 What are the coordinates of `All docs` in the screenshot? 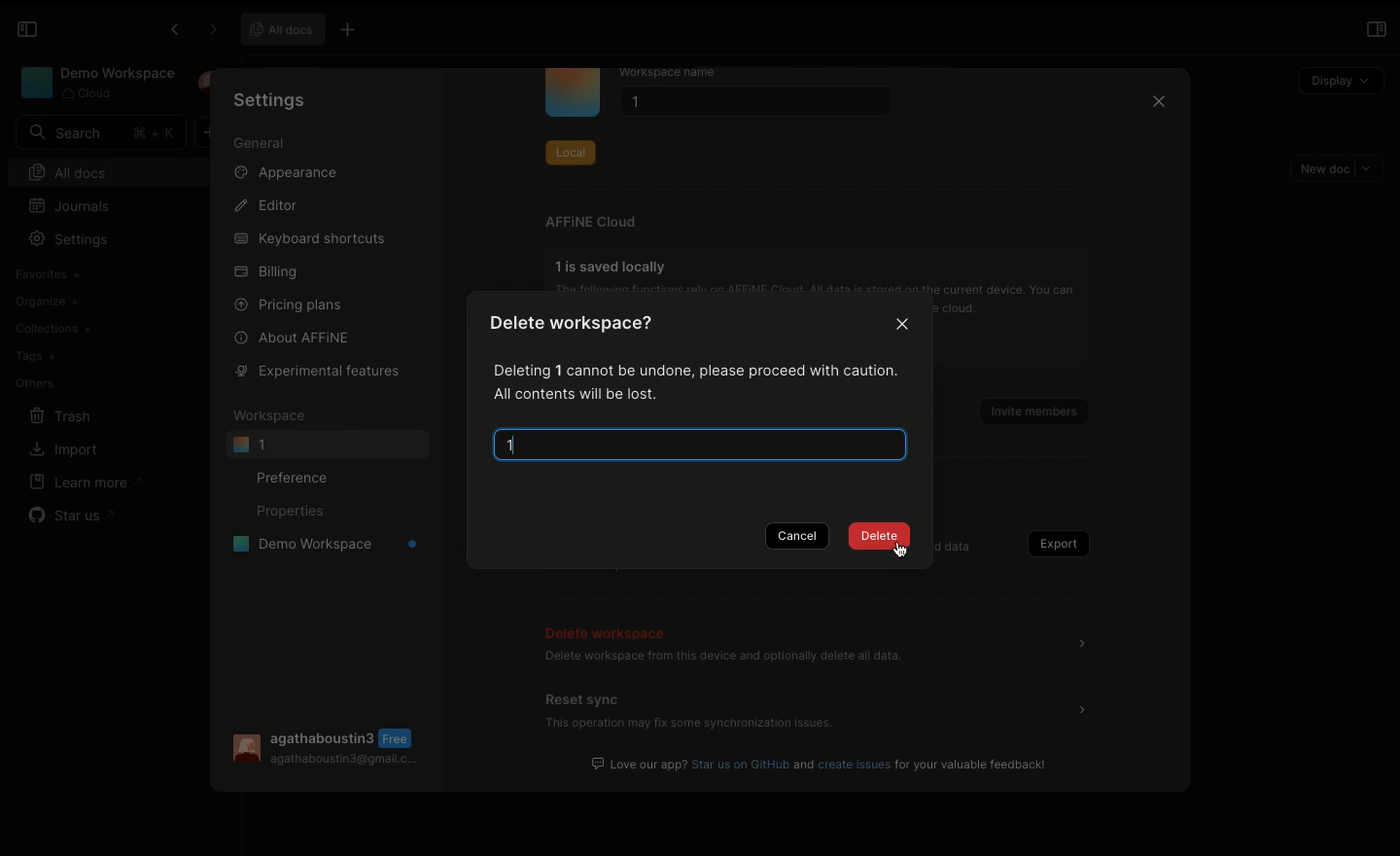 It's located at (115, 170).